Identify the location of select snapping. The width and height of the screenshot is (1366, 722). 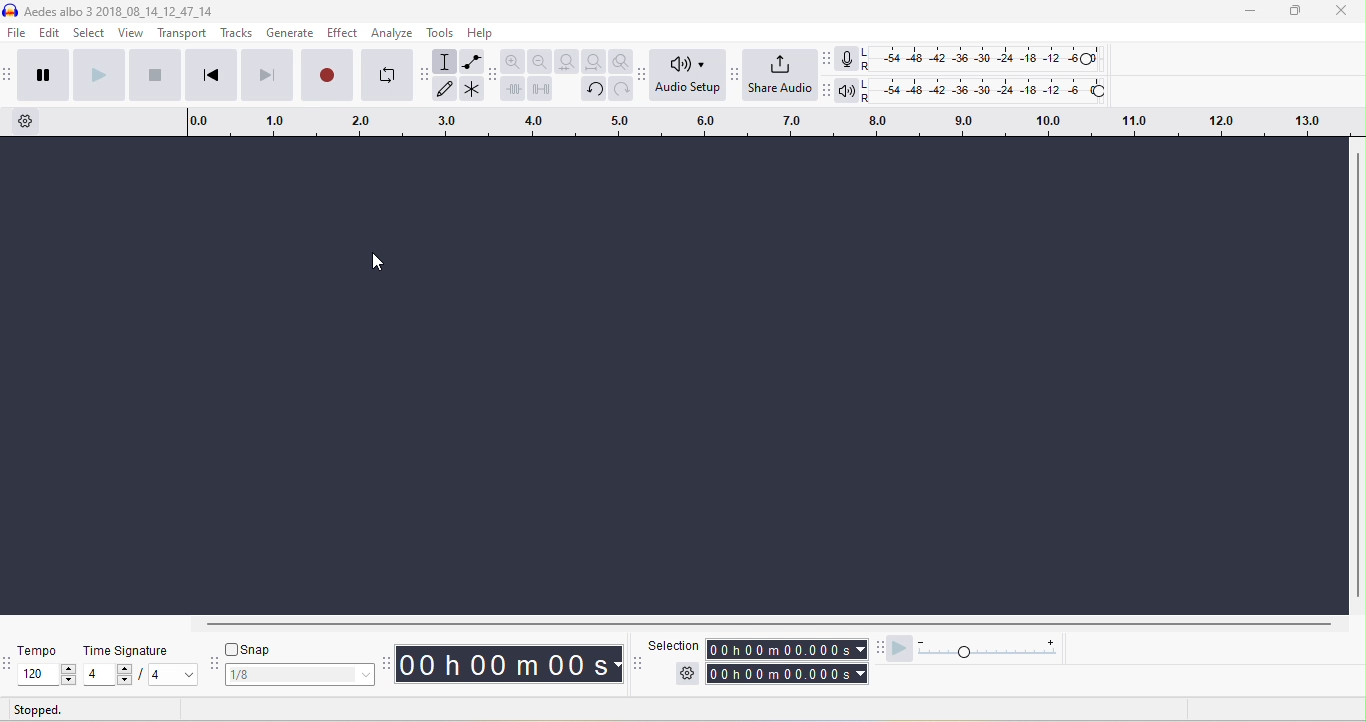
(302, 675).